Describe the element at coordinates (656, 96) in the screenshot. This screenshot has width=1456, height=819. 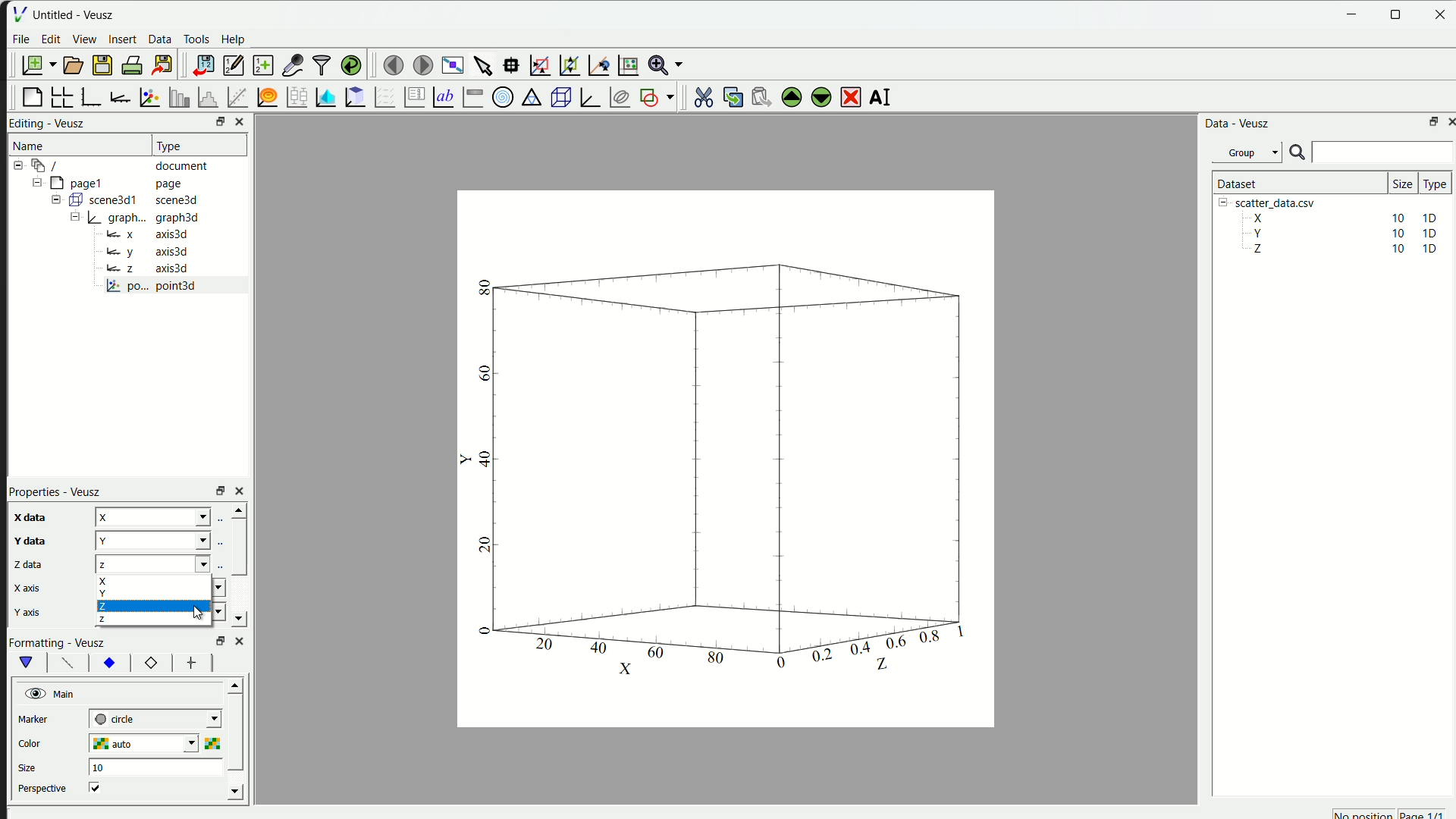
I see `add the shap to the plot` at that location.